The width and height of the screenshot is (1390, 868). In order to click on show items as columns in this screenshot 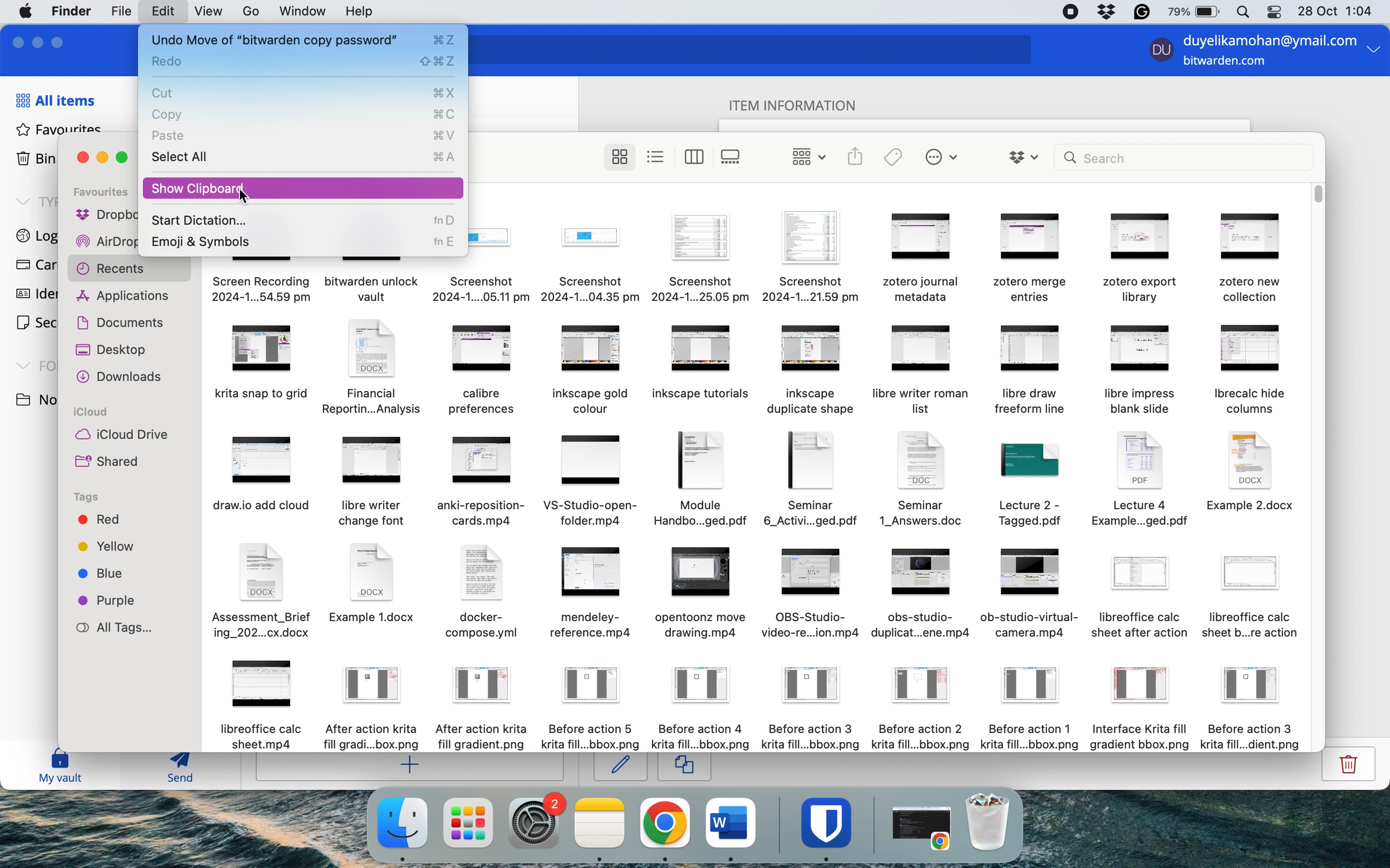, I will do `click(695, 156)`.